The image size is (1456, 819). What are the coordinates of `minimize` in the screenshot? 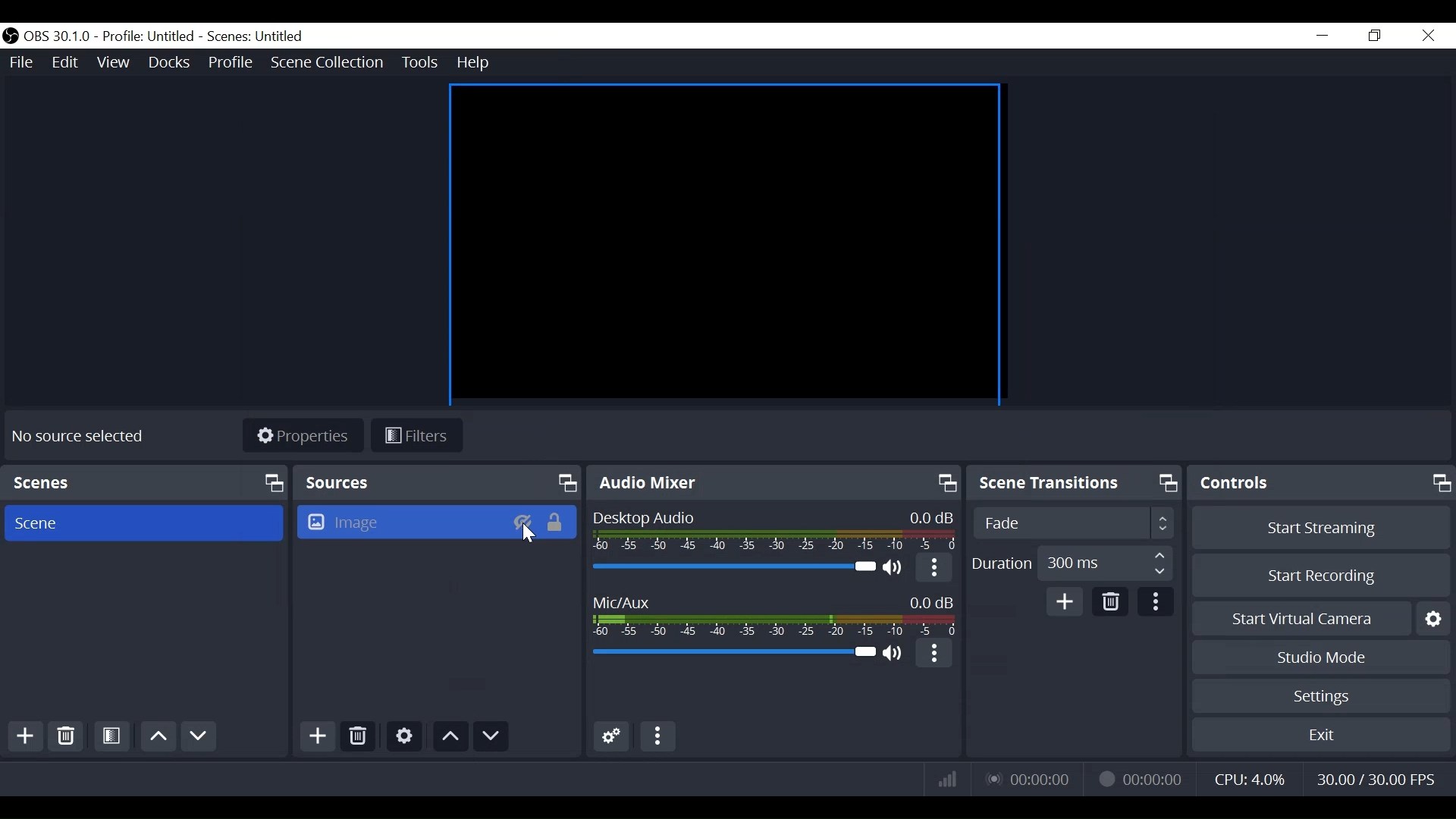 It's located at (1323, 35).